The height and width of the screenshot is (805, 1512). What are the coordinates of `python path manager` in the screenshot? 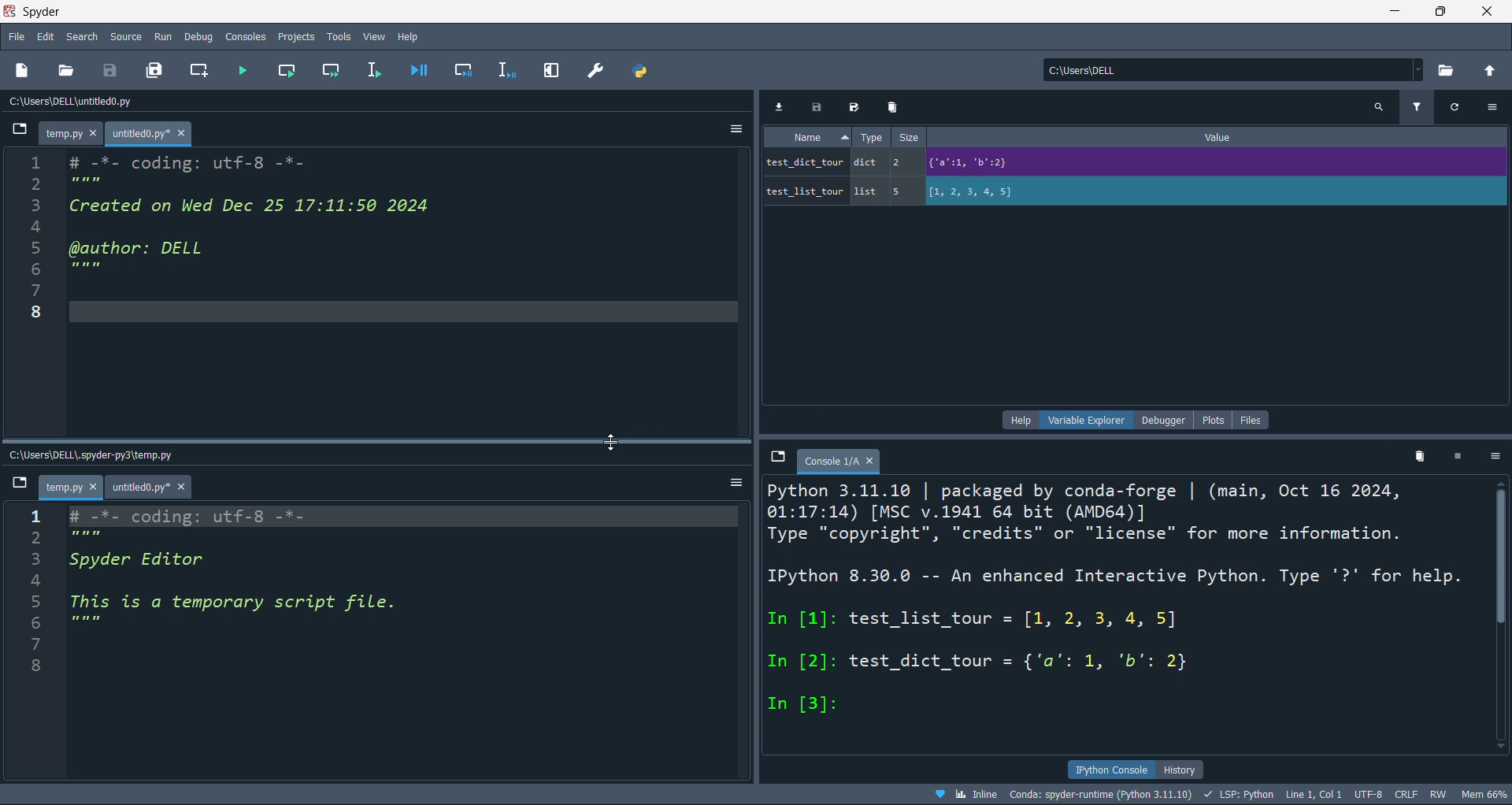 It's located at (637, 71).